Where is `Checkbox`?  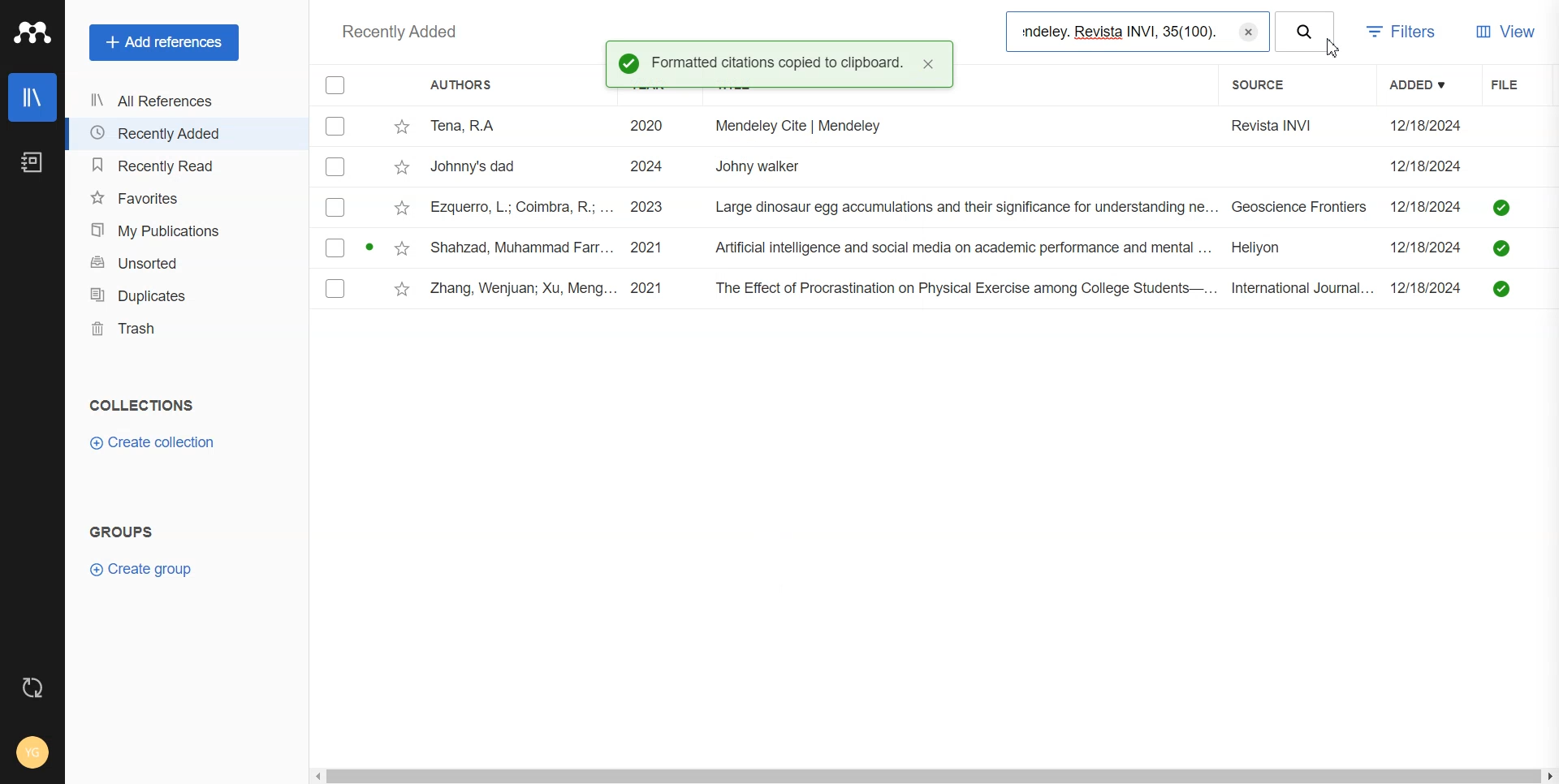
Checkbox is located at coordinates (335, 289).